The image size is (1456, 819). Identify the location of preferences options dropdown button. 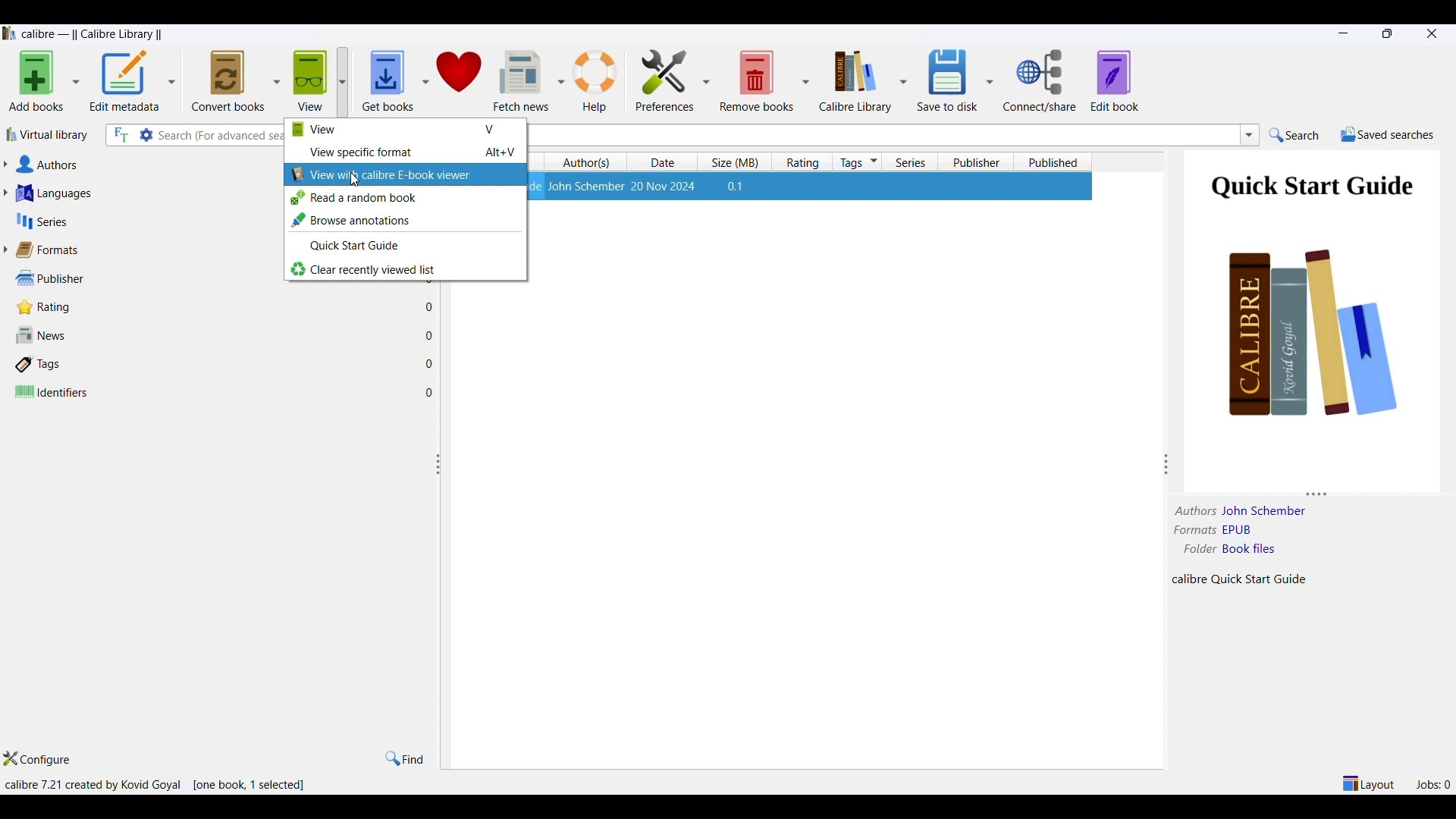
(704, 81).